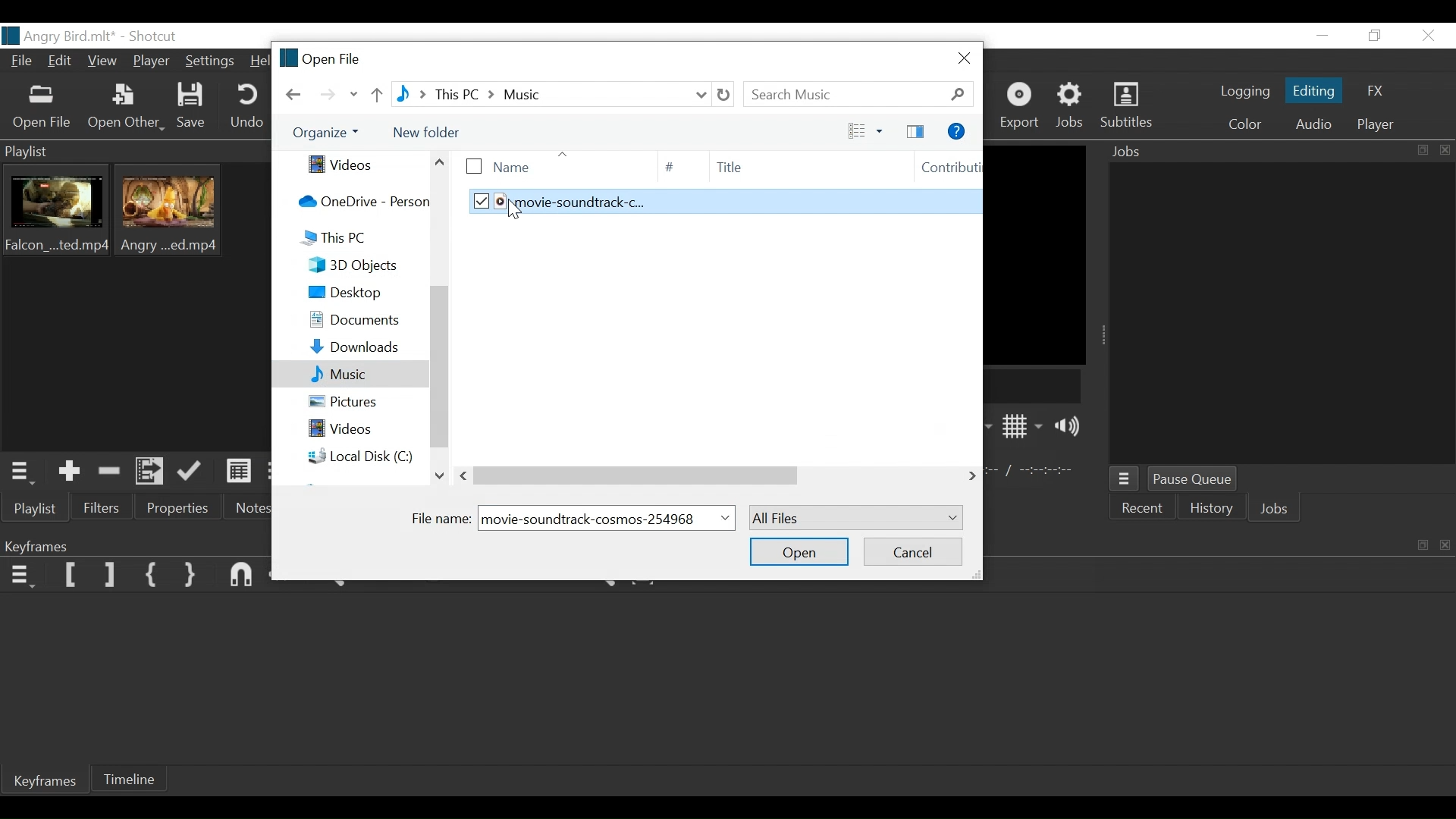 Image resolution: width=1456 pixels, height=819 pixels. What do you see at coordinates (353, 165) in the screenshot?
I see `Videos` at bounding box center [353, 165].